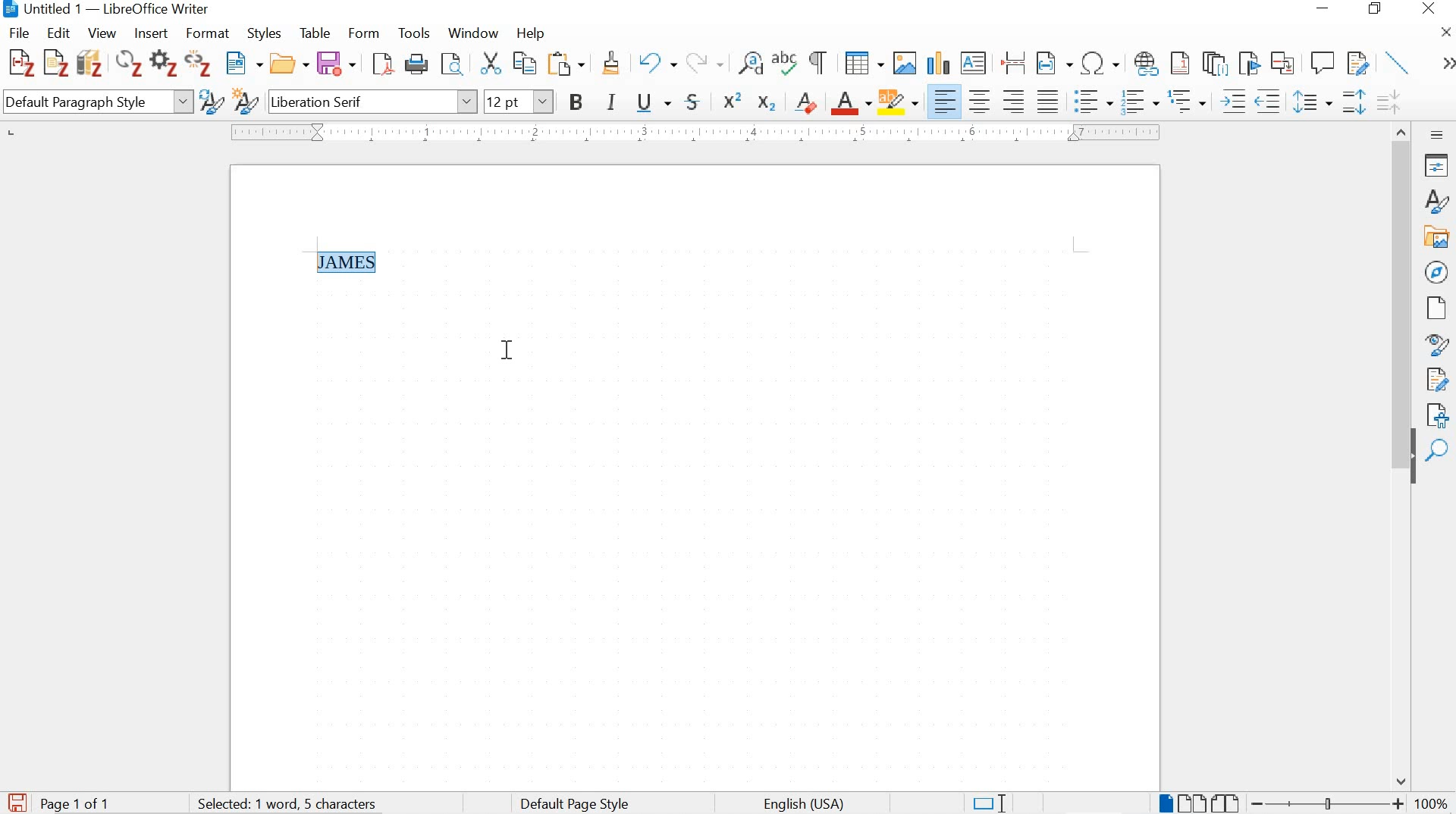  What do you see at coordinates (1013, 61) in the screenshot?
I see `insert page break` at bounding box center [1013, 61].